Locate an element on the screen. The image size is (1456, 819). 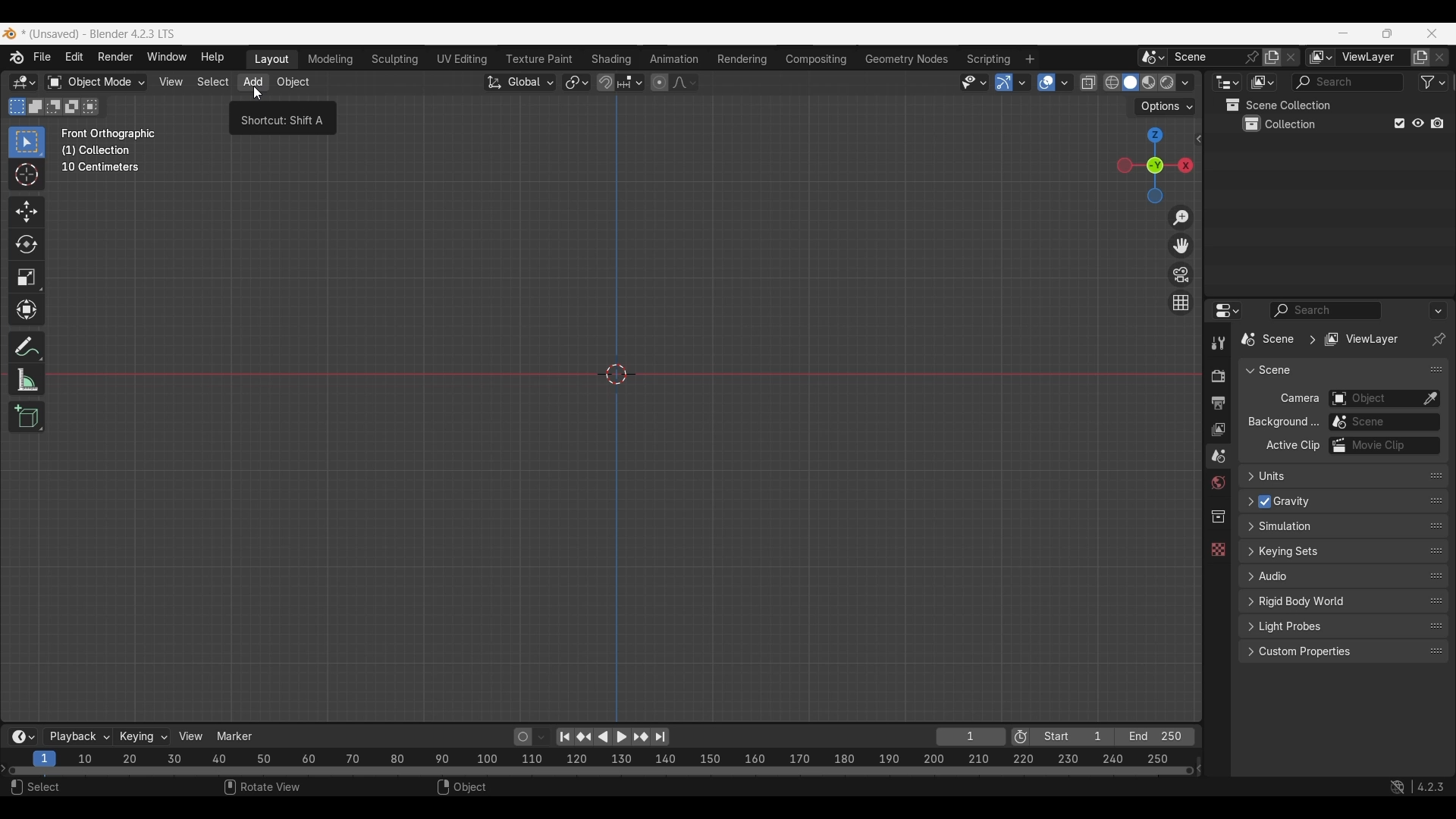
Project and software name is located at coordinates (99, 34).